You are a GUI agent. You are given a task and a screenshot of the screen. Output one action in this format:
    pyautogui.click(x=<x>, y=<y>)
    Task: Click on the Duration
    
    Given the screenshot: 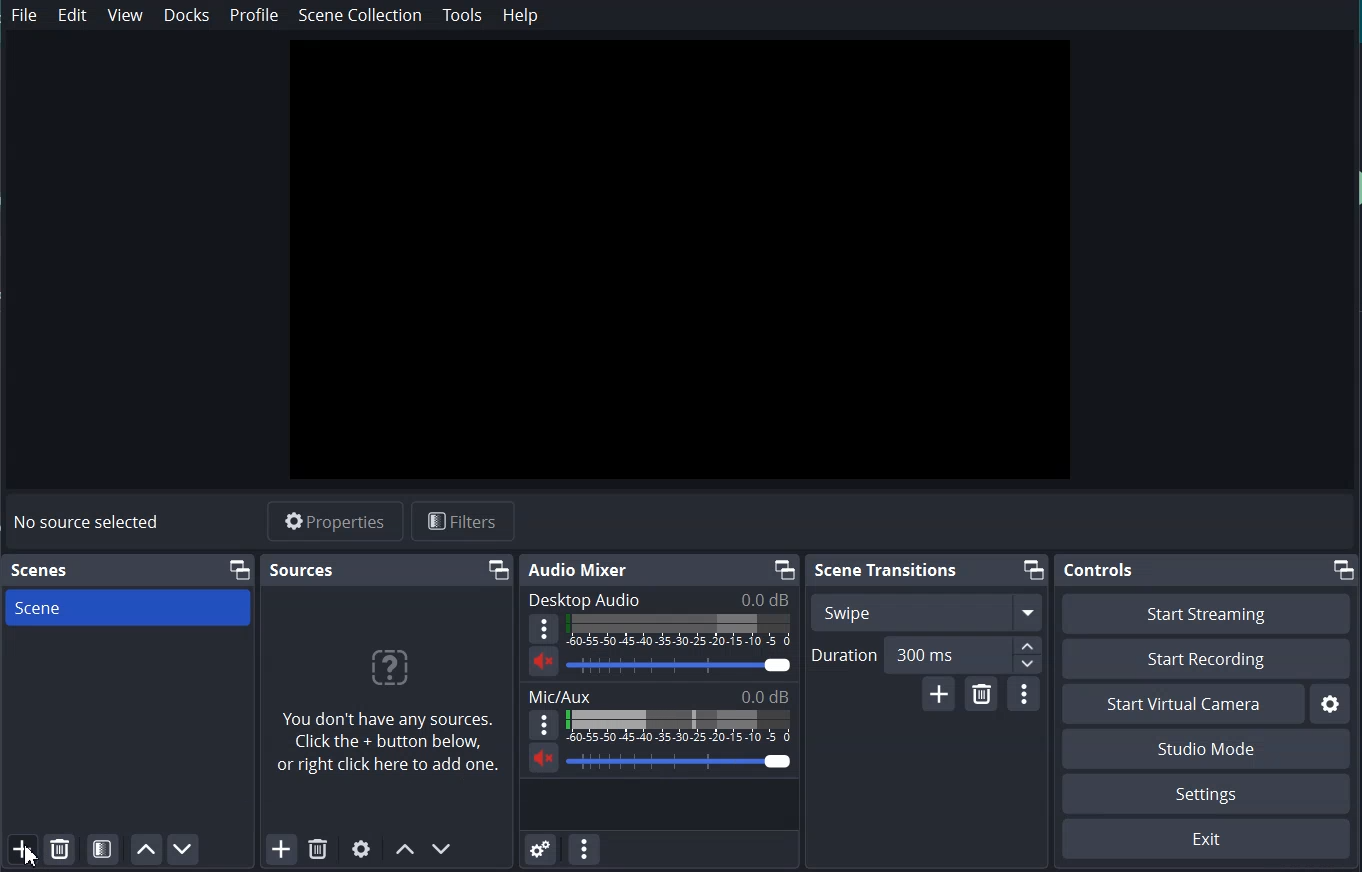 What is the action you would take?
    pyautogui.click(x=926, y=655)
    